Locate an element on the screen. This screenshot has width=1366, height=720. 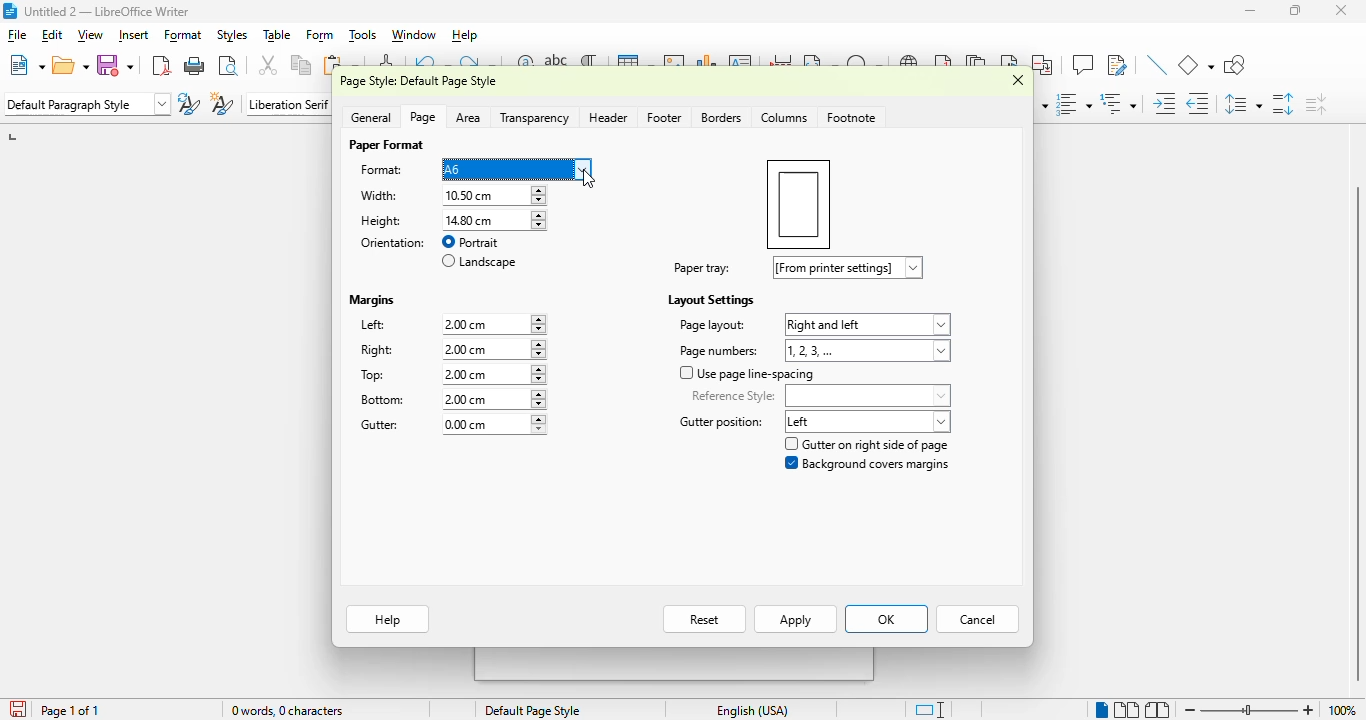
word and character count is located at coordinates (288, 710).